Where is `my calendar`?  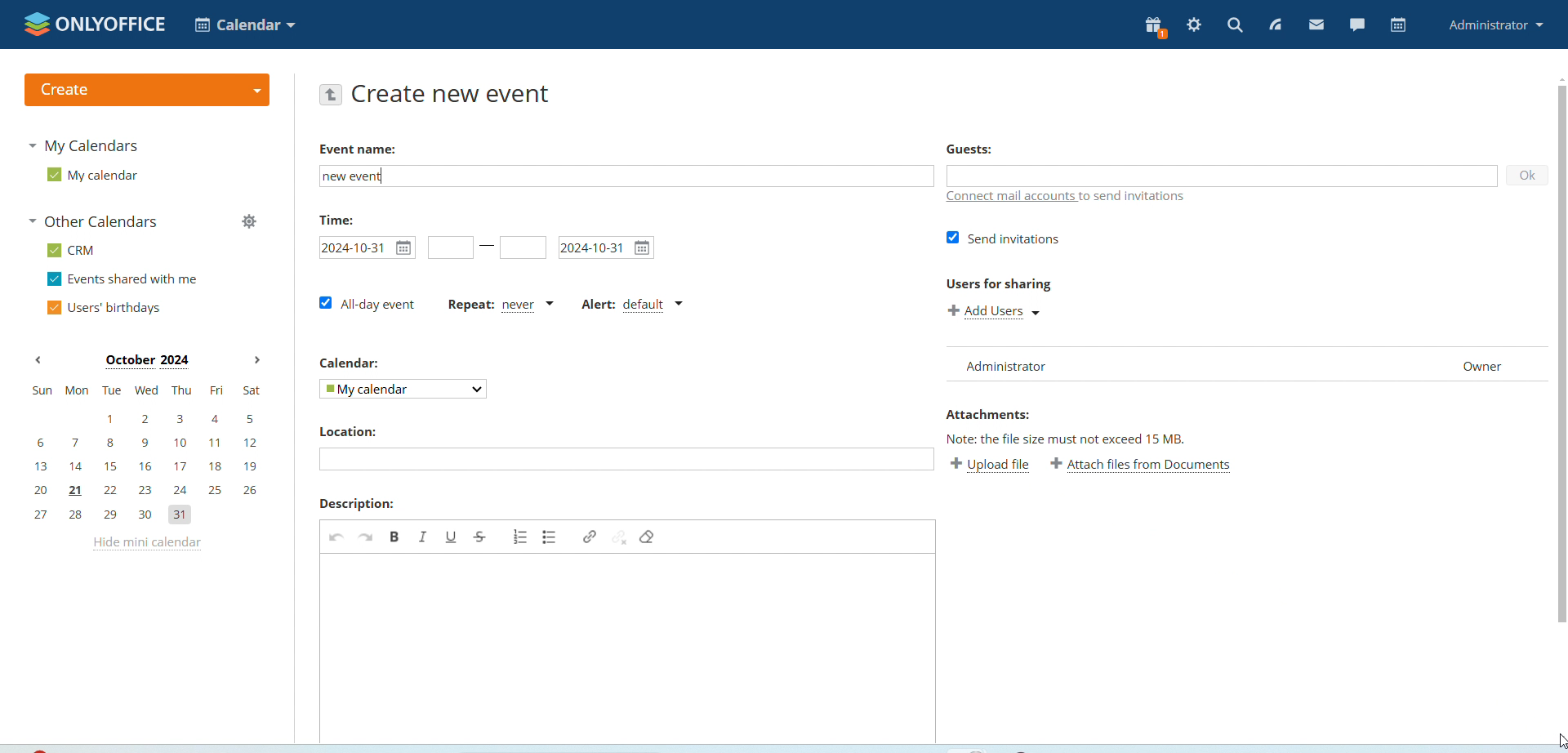 my calendar is located at coordinates (97, 174).